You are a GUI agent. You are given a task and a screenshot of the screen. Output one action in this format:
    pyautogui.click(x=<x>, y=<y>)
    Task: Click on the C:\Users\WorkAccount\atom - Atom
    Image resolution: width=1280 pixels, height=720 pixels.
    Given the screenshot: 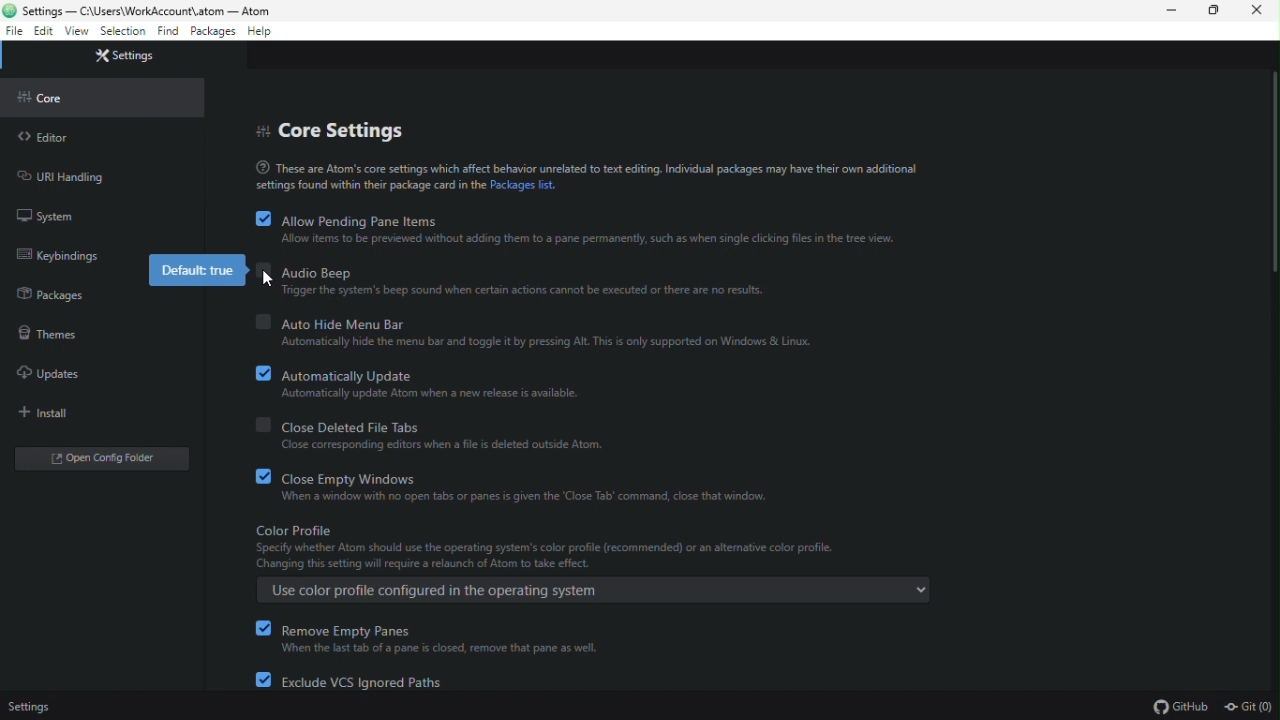 What is the action you would take?
    pyautogui.click(x=144, y=9)
    